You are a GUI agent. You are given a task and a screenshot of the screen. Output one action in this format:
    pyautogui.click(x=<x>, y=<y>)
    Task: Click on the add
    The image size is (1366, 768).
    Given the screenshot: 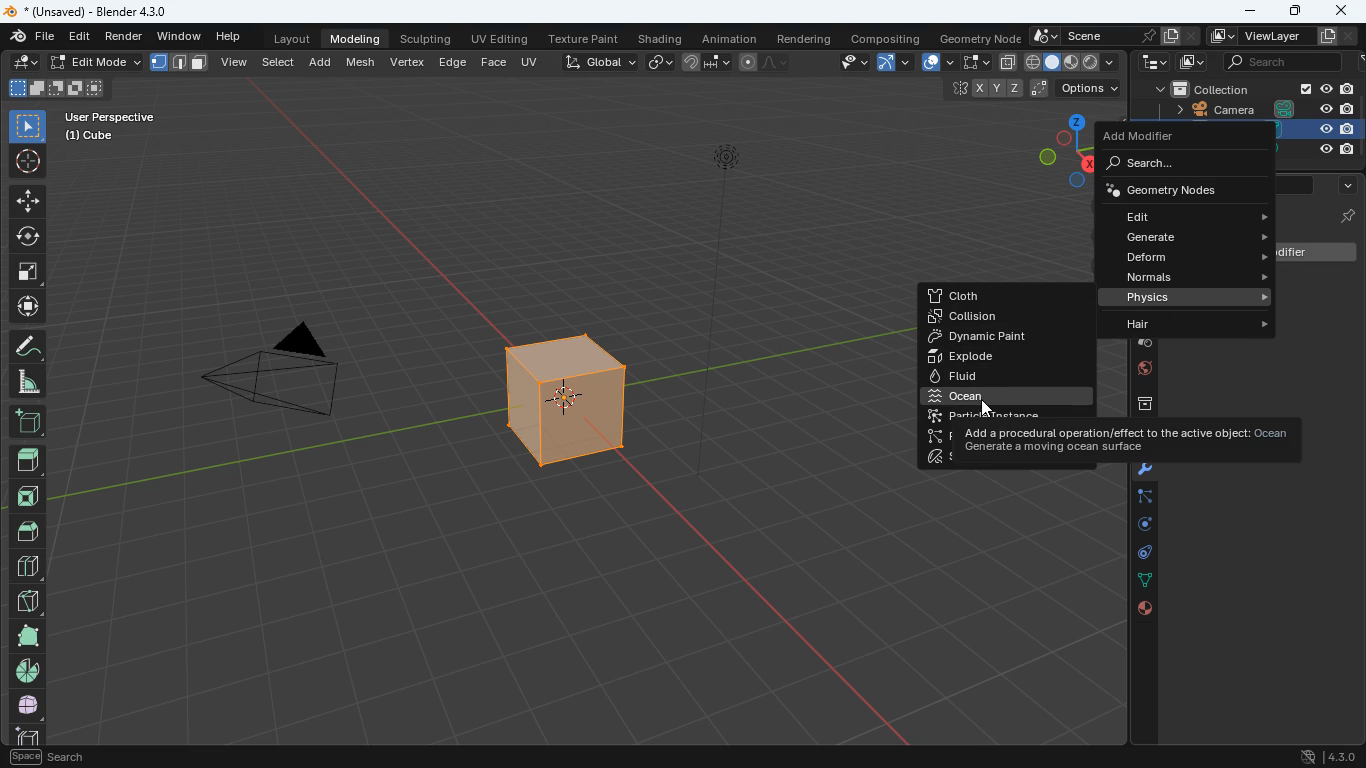 What is the action you would take?
    pyautogui.click(x=324, y=61)
    